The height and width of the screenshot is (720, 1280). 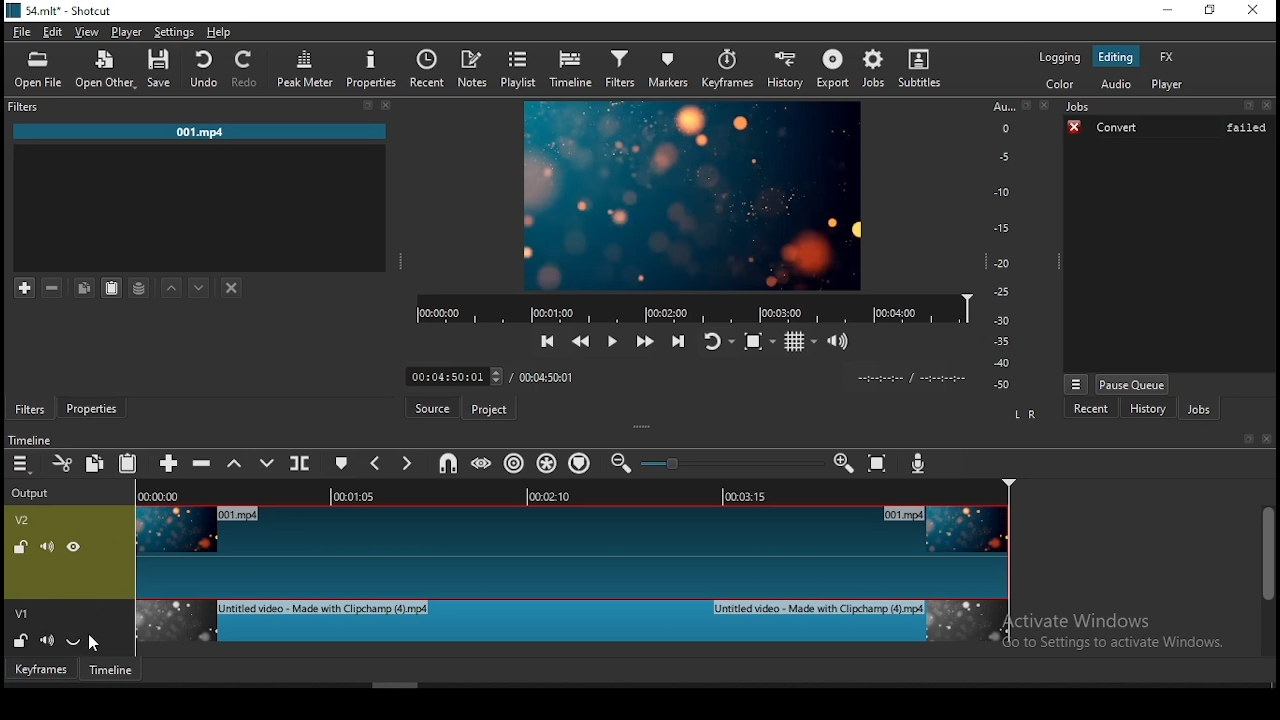 I want to click on skip to the previous point, so click(x=548, y=339).